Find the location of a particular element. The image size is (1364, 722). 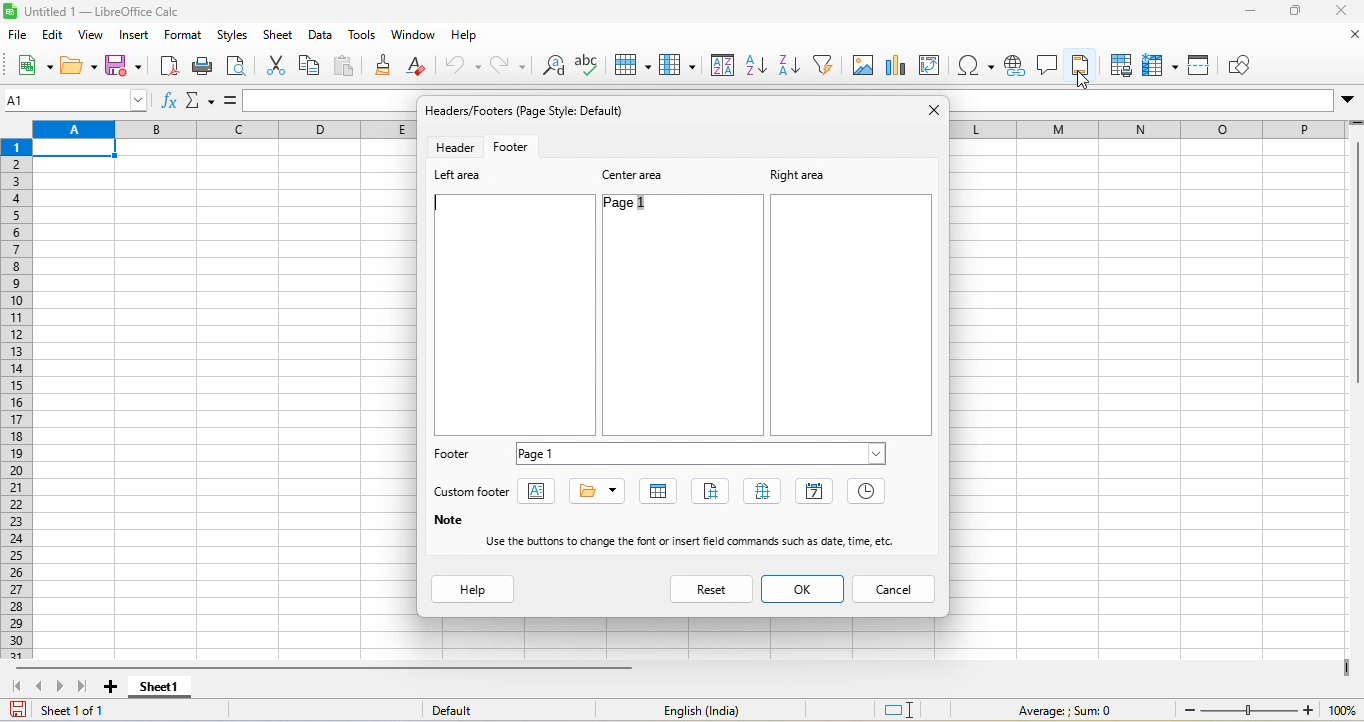

first sheet is located at coordinates (16, 687).